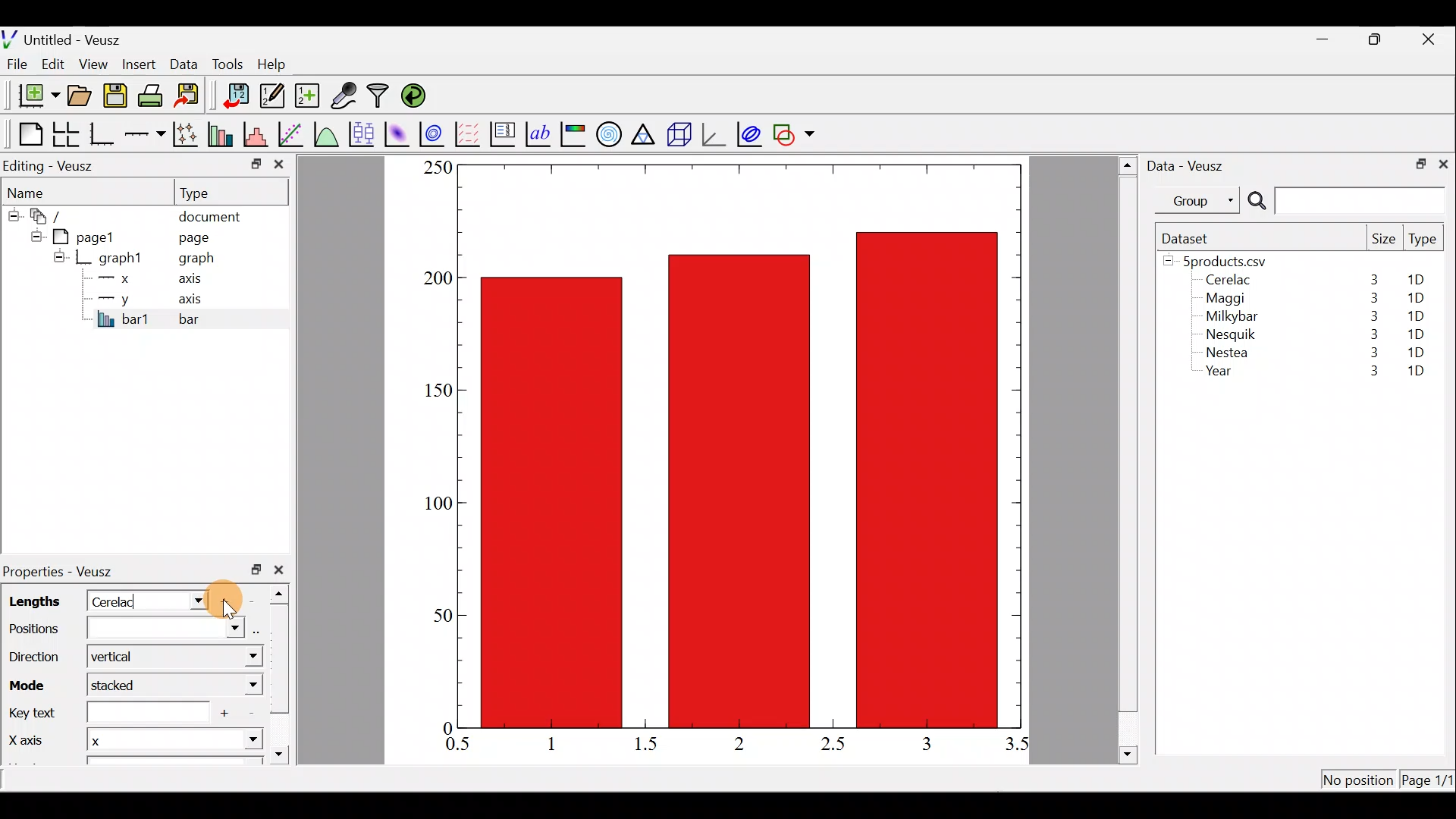 This screenshot has width=1456, height=819. Describe the element at coordinates (120, 658) in the screenshot. I see `Vertical` at that location.